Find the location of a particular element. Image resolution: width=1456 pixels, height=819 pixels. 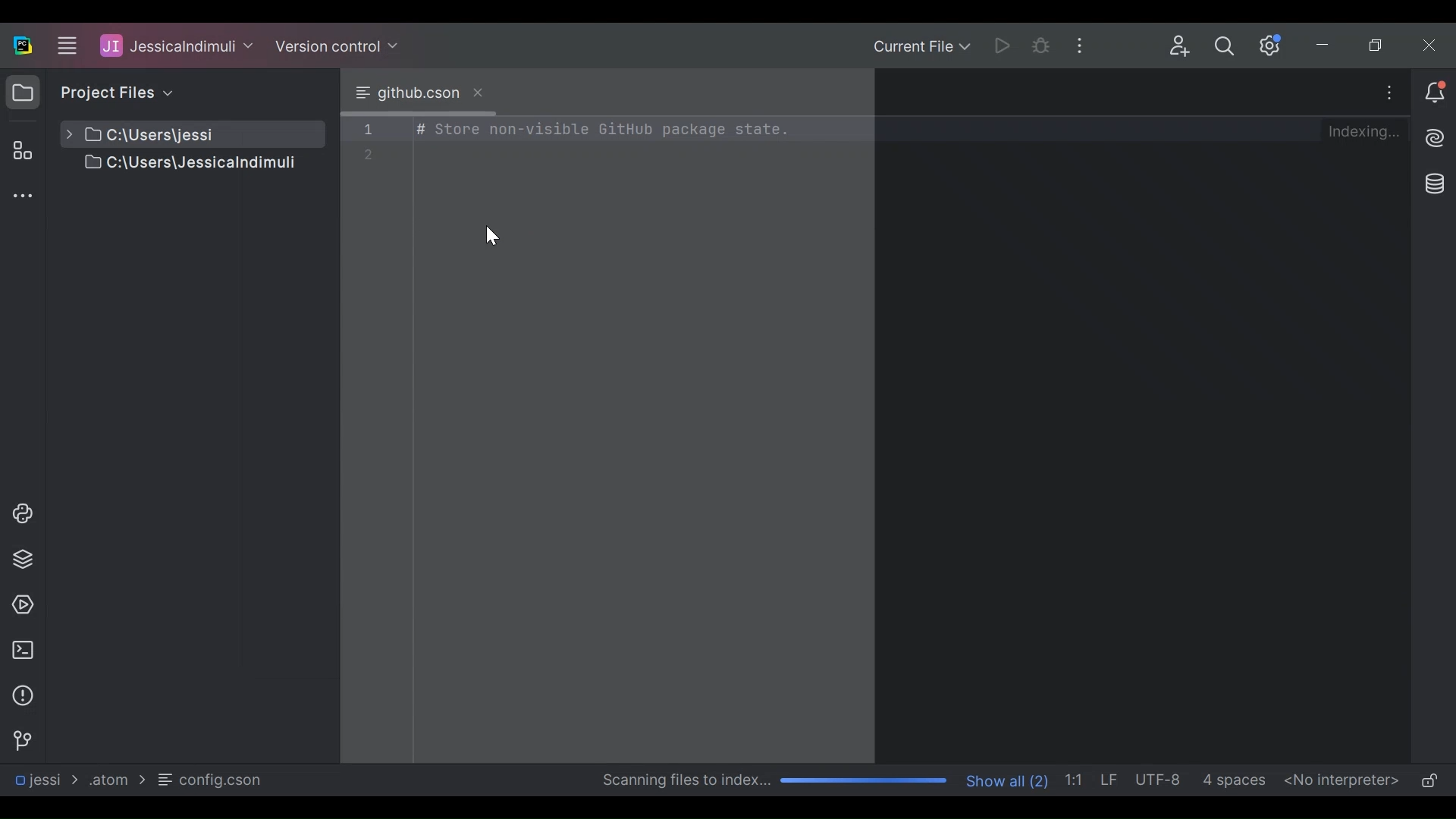

Bug is located at coordinates (1041, 45).